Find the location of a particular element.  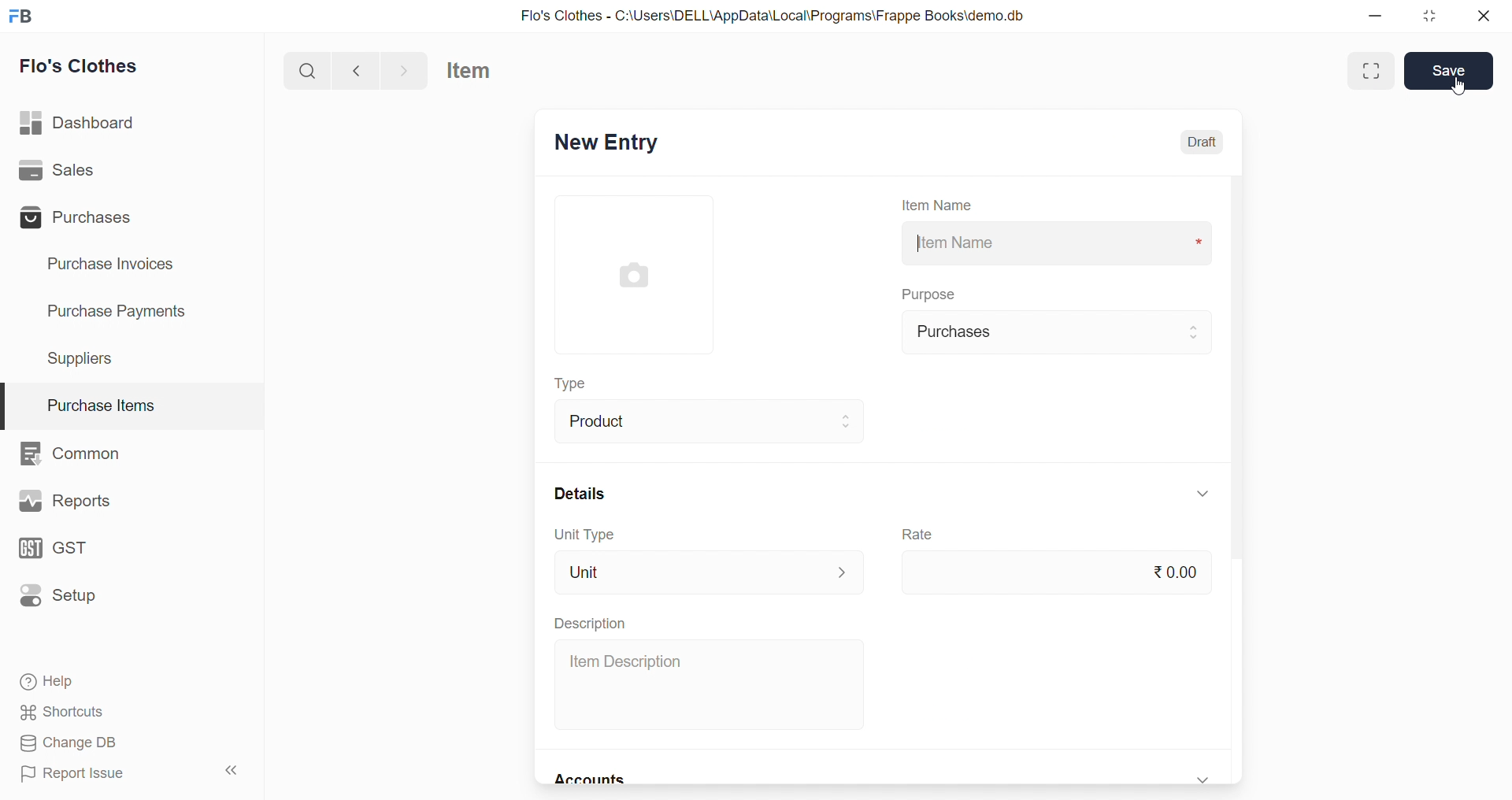

search is located at coordinates (306, 69).